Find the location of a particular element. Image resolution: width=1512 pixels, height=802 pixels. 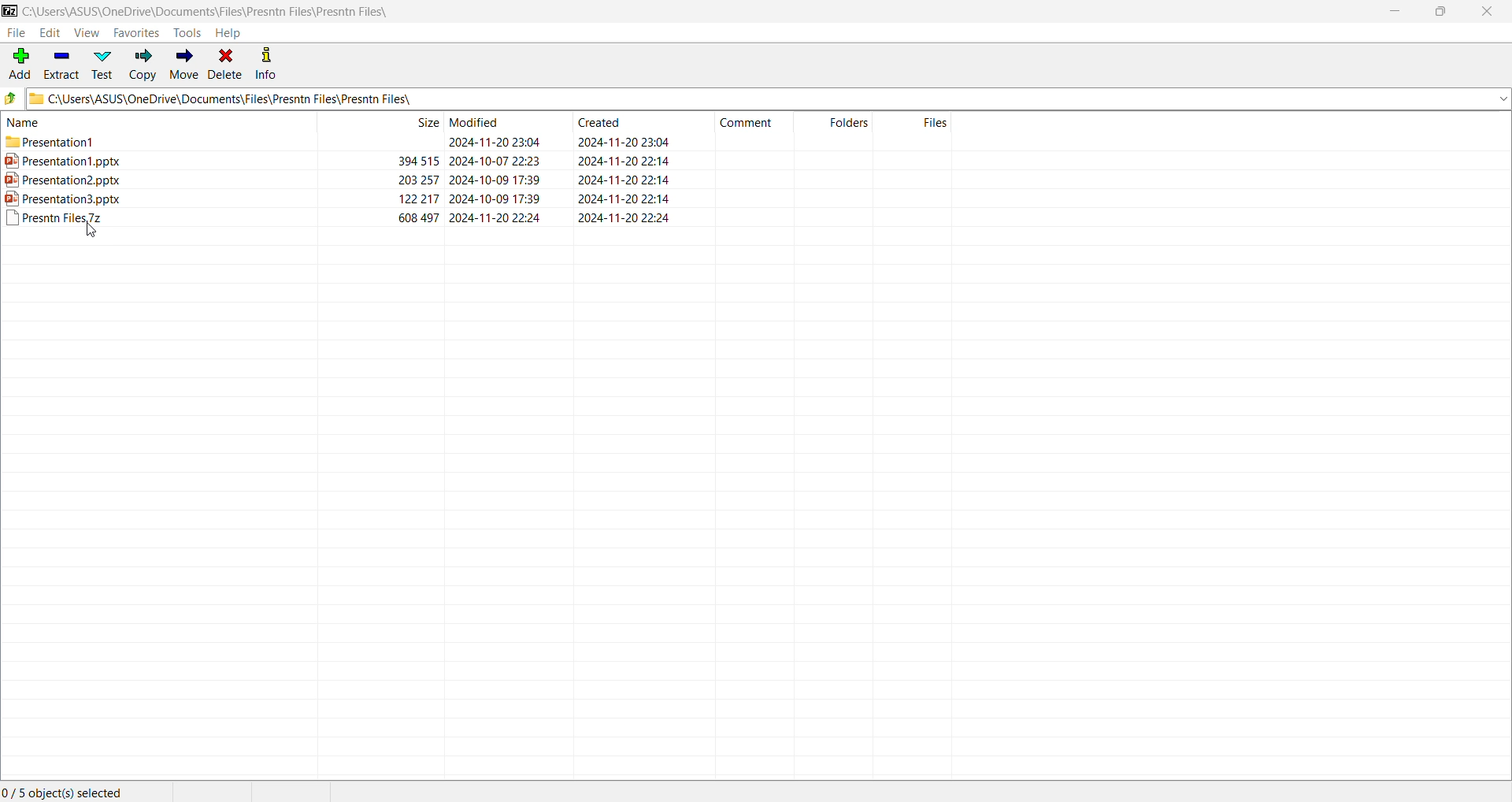

Edit is located at coordinates (52, 32).